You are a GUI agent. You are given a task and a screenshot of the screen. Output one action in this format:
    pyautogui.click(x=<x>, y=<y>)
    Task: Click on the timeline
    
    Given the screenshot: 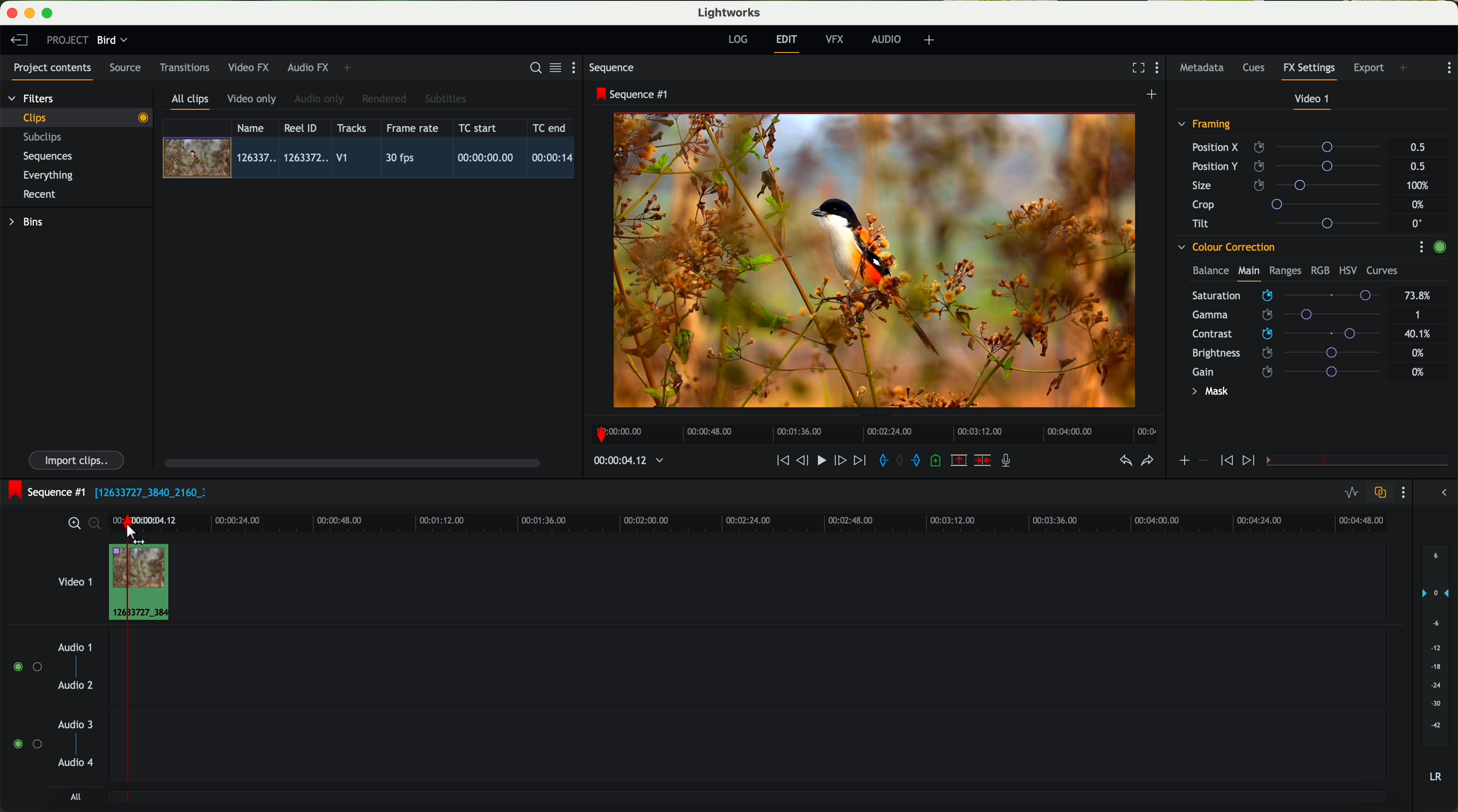 What is the action you would take?
    pyautogui.click(x=871, y=431)
    